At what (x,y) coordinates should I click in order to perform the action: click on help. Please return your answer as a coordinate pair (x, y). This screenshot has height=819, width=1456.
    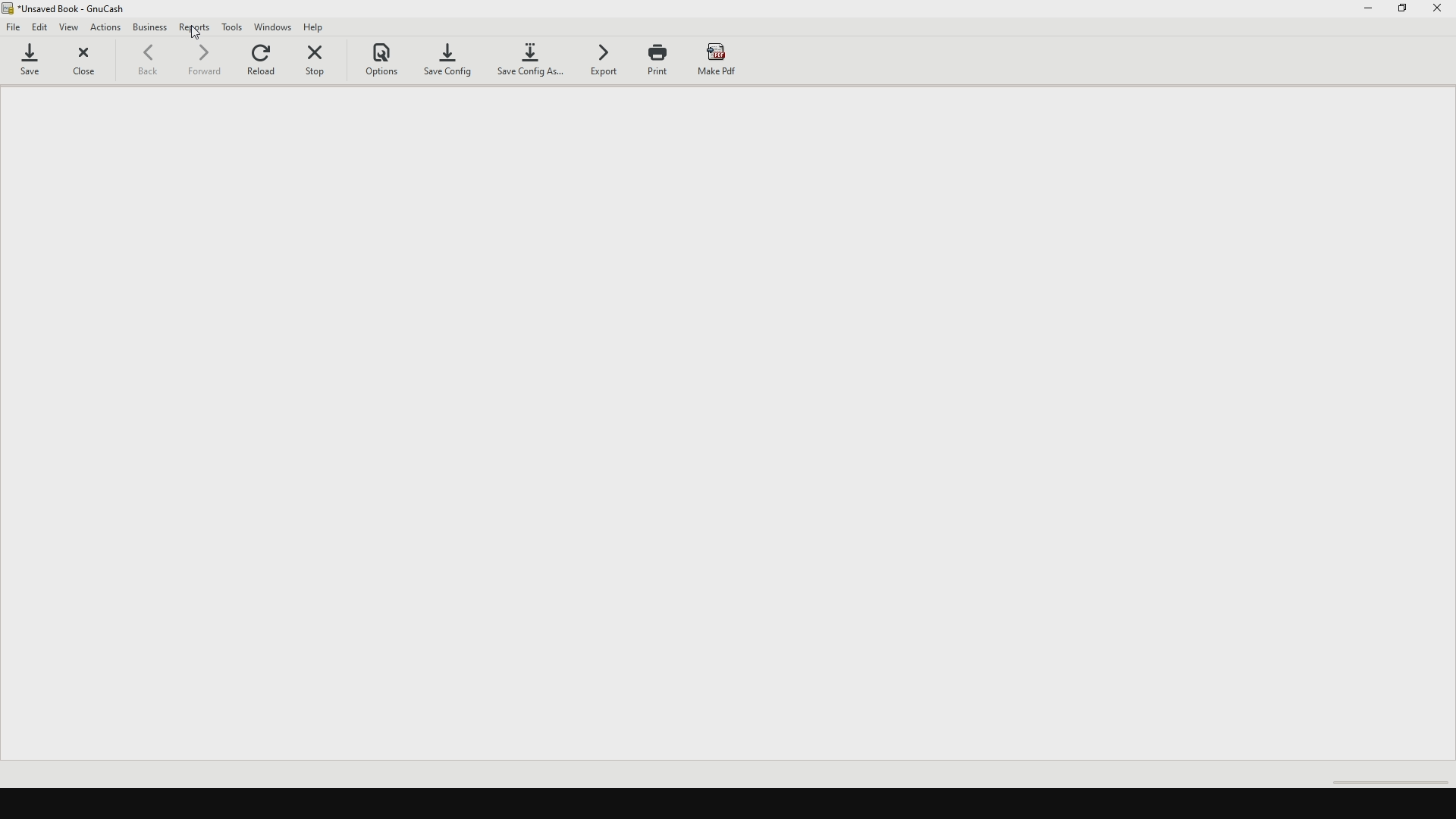
    Looking at the image, I should click on (322, 27).